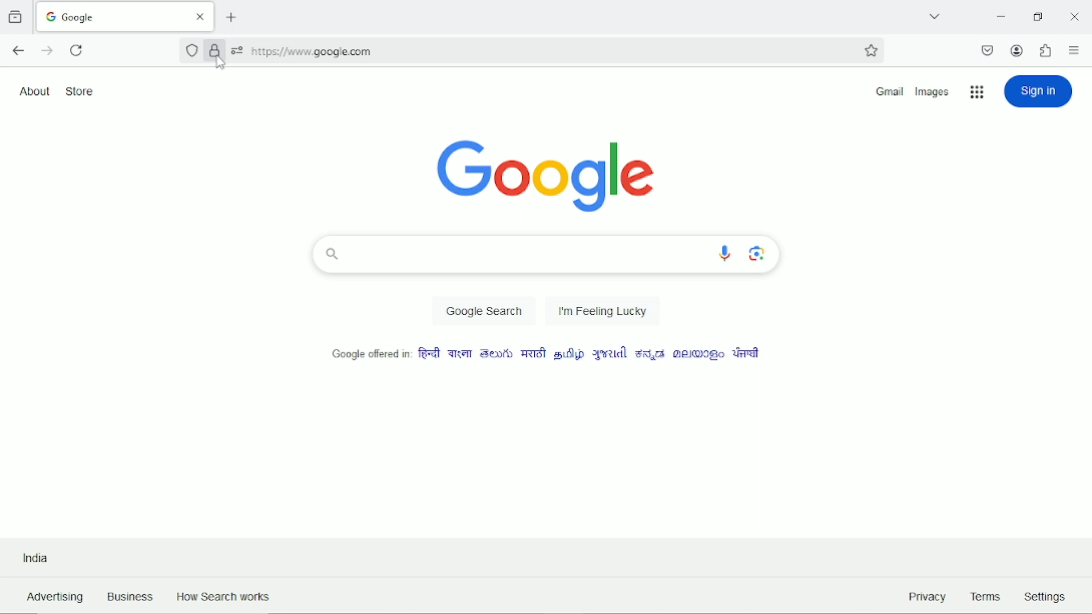 This screenshot has width=1092, height=614. What do you see at coordinates (85, 90) in the screenshot?
I see `Store` at bounding box center [85, 90].